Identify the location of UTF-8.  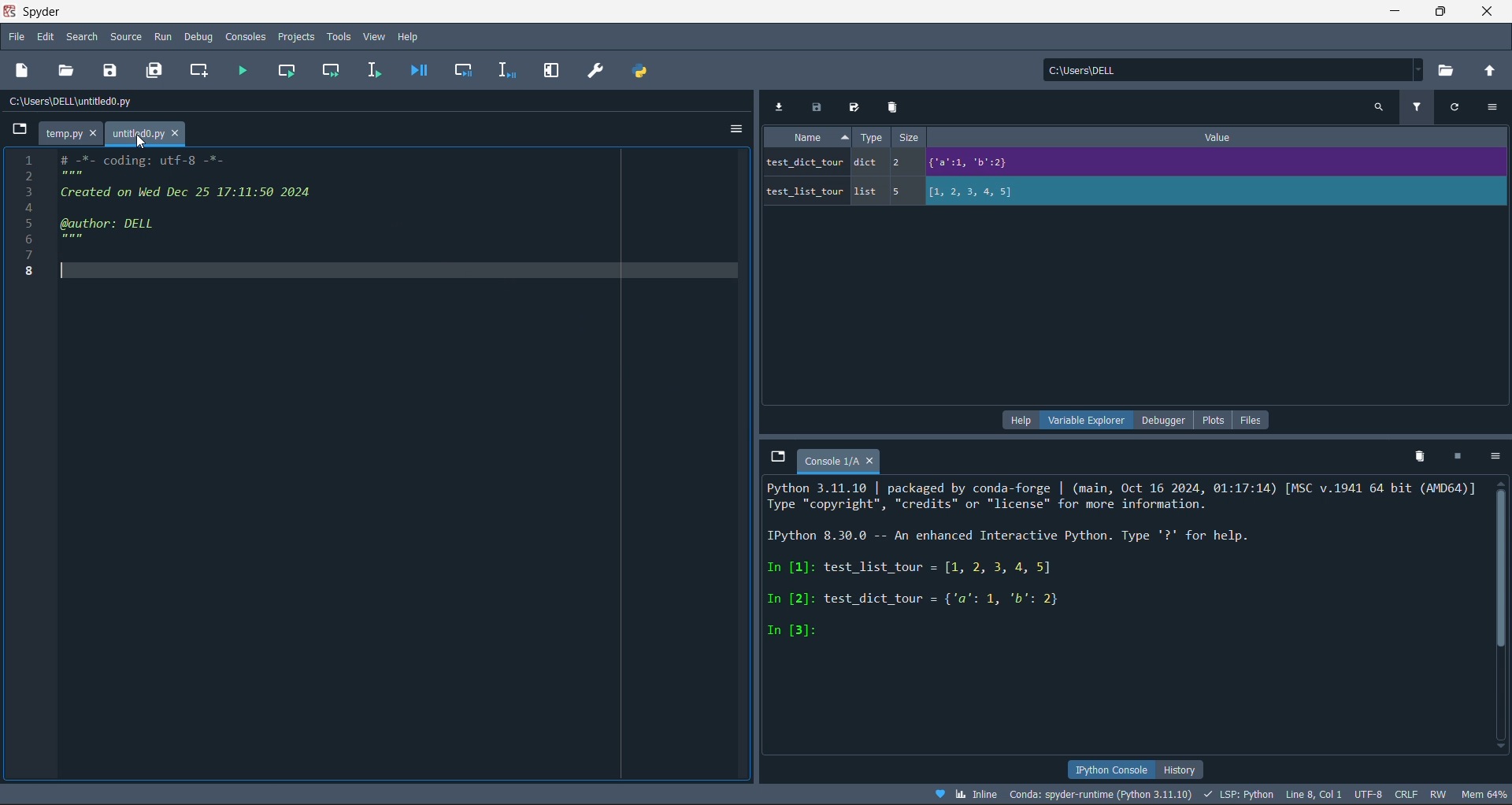
(1366, 796).